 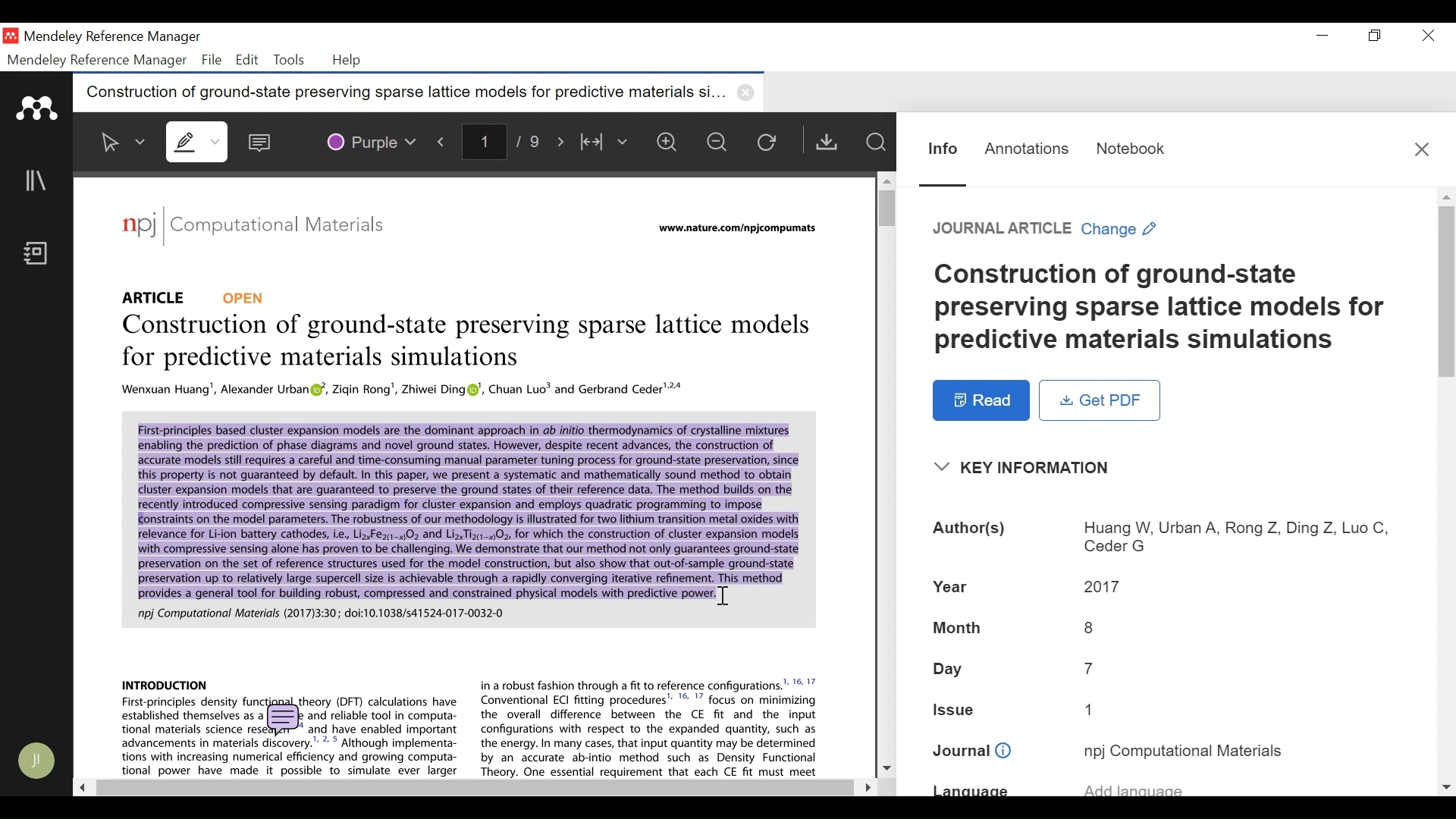 What do you see at coordinates (263, 139) in the screenshot?
I see `Sticky Note` at bounding box center [263, 139].